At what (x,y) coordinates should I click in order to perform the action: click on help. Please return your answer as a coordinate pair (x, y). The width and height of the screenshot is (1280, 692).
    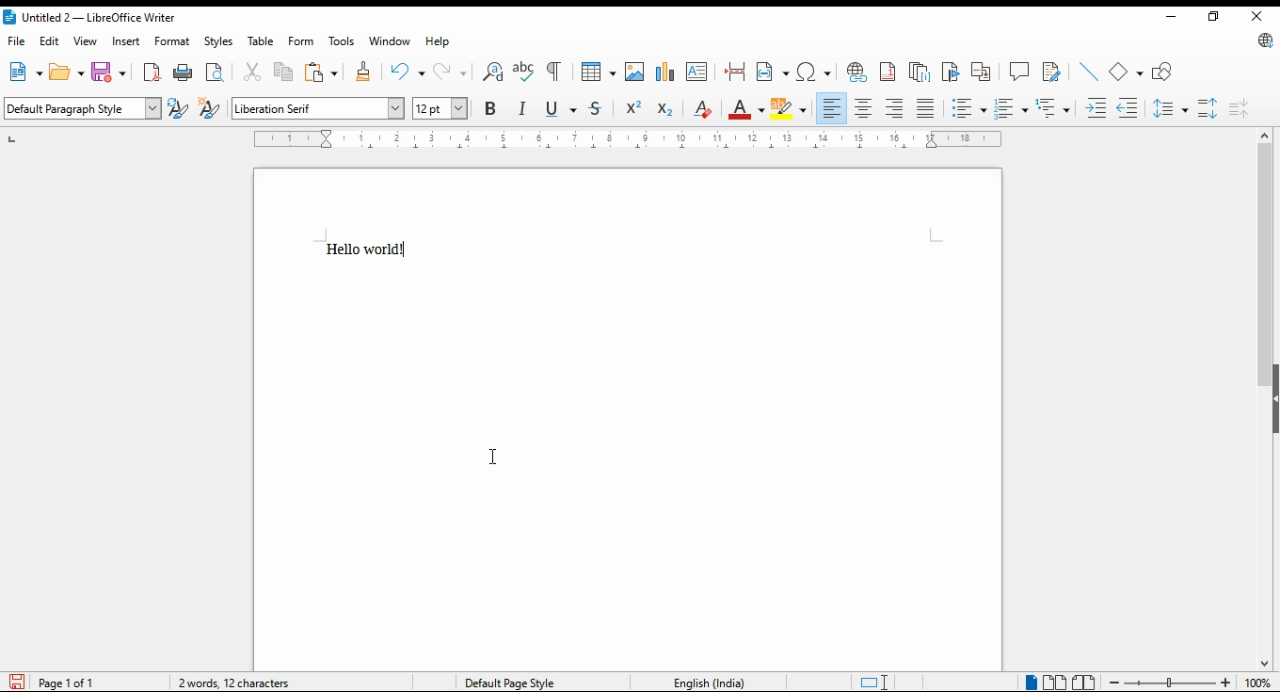
    Looking at the image, I should click on (439, 42).